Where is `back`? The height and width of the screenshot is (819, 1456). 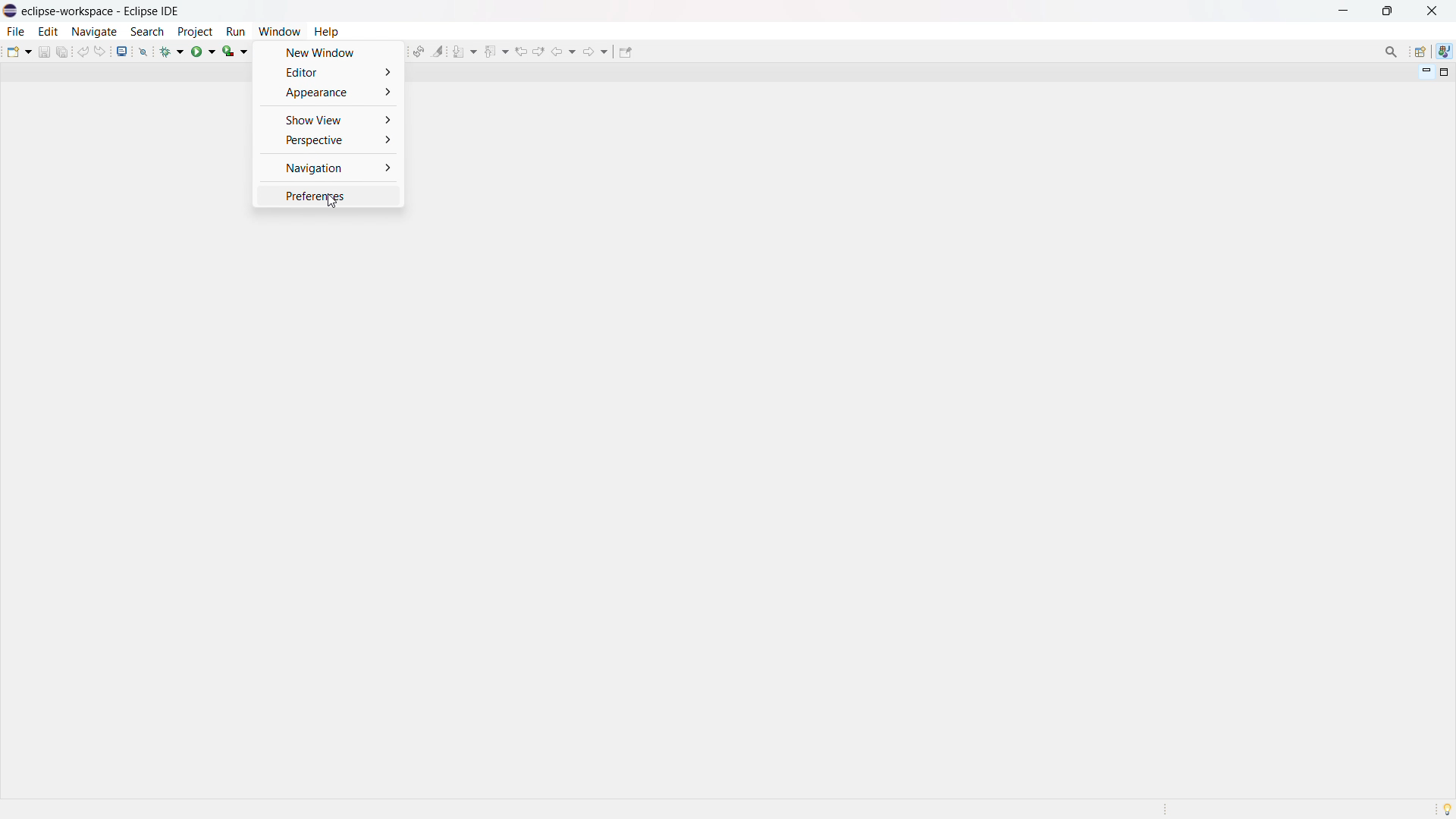
back is located at coordinates (563, 52).